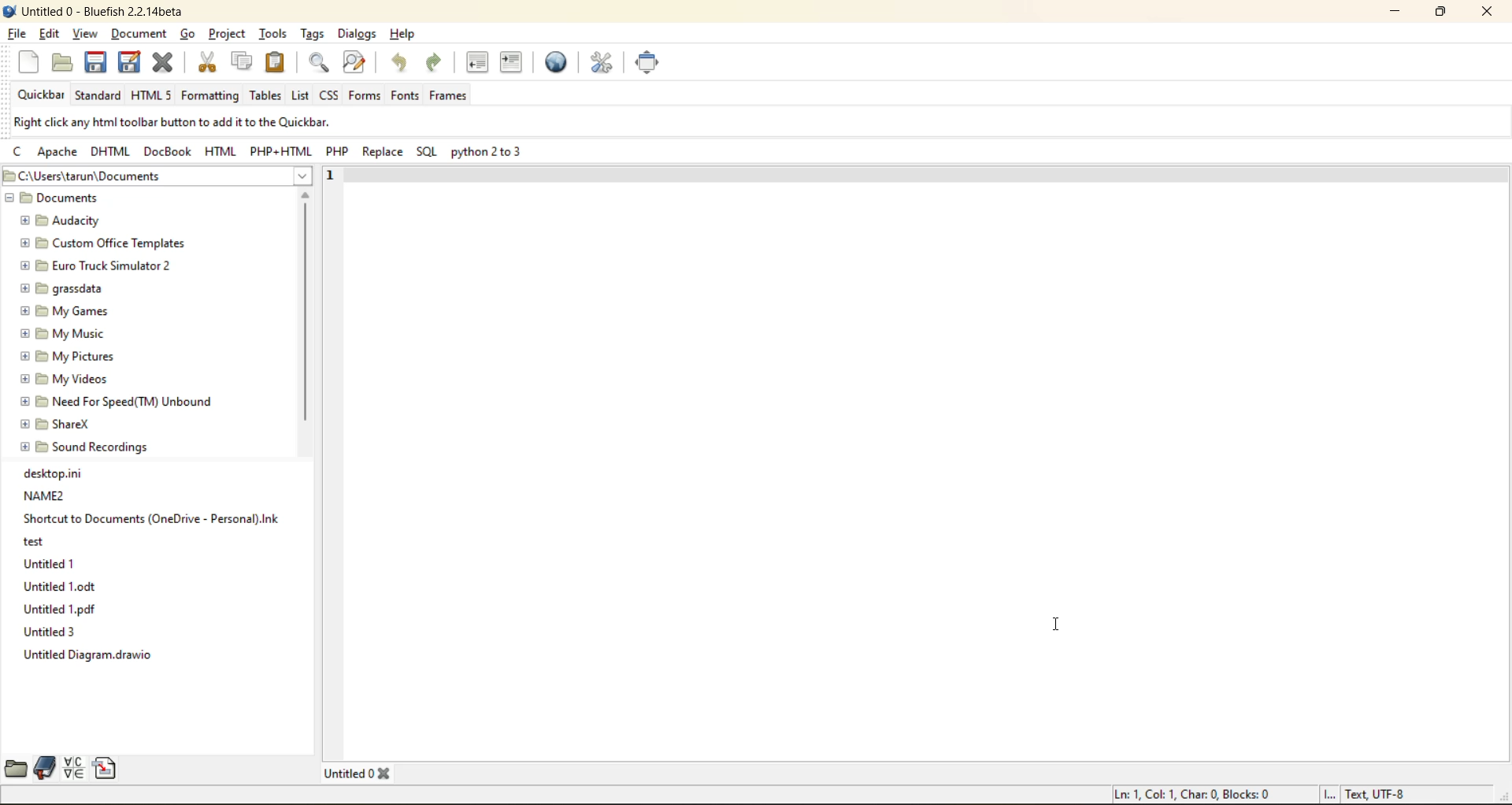  I want to click on cut, so click(209, 63).